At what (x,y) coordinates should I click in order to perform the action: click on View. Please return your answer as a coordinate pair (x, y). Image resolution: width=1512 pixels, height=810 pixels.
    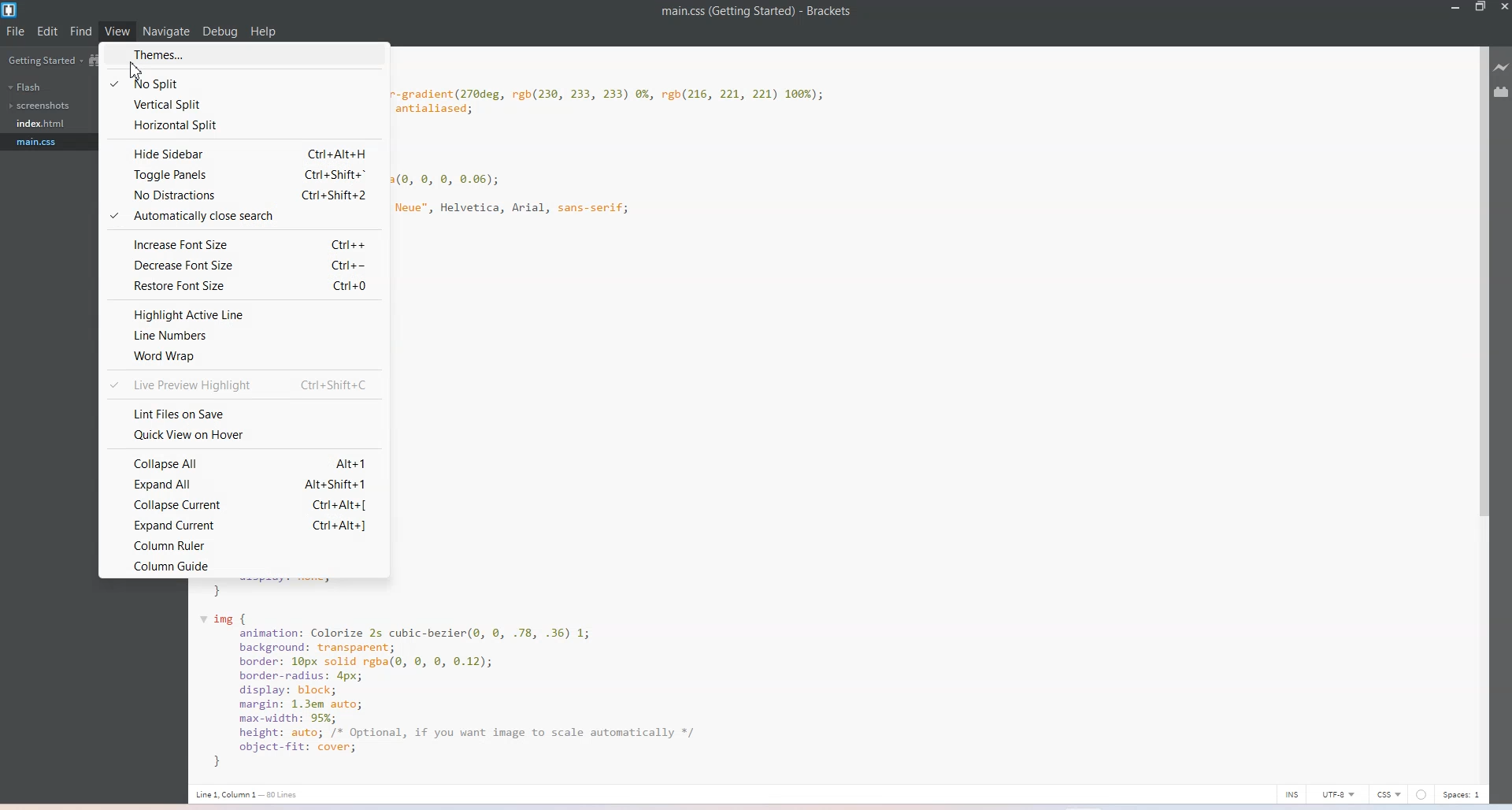
    Looking at the image, I should click on (117, 32).